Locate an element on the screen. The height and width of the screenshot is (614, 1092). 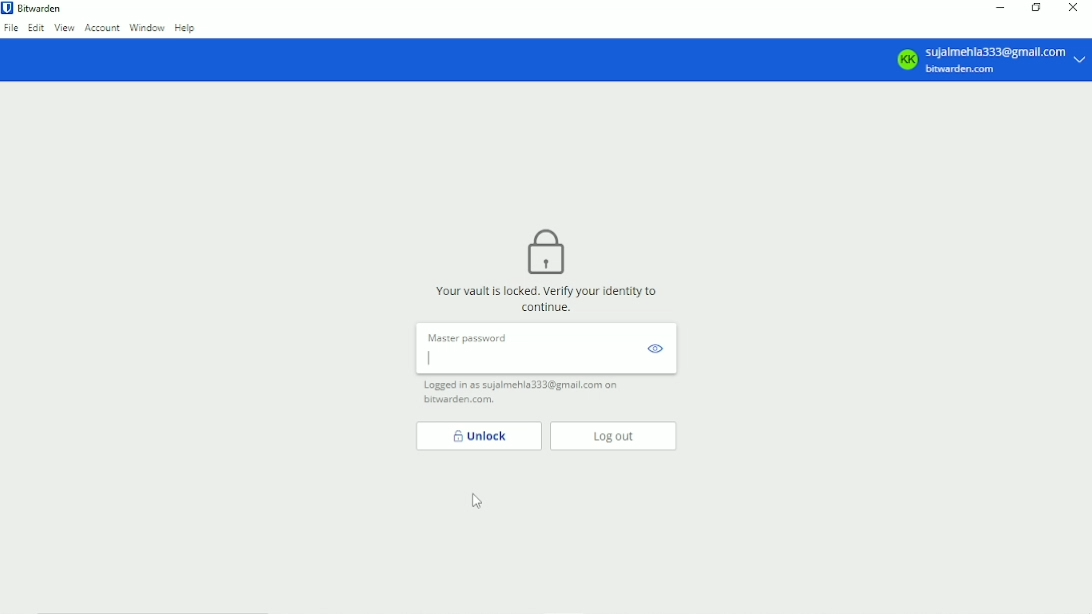
Your vault is locked. verify your identity to continue. is located at coordinates (548, 298).